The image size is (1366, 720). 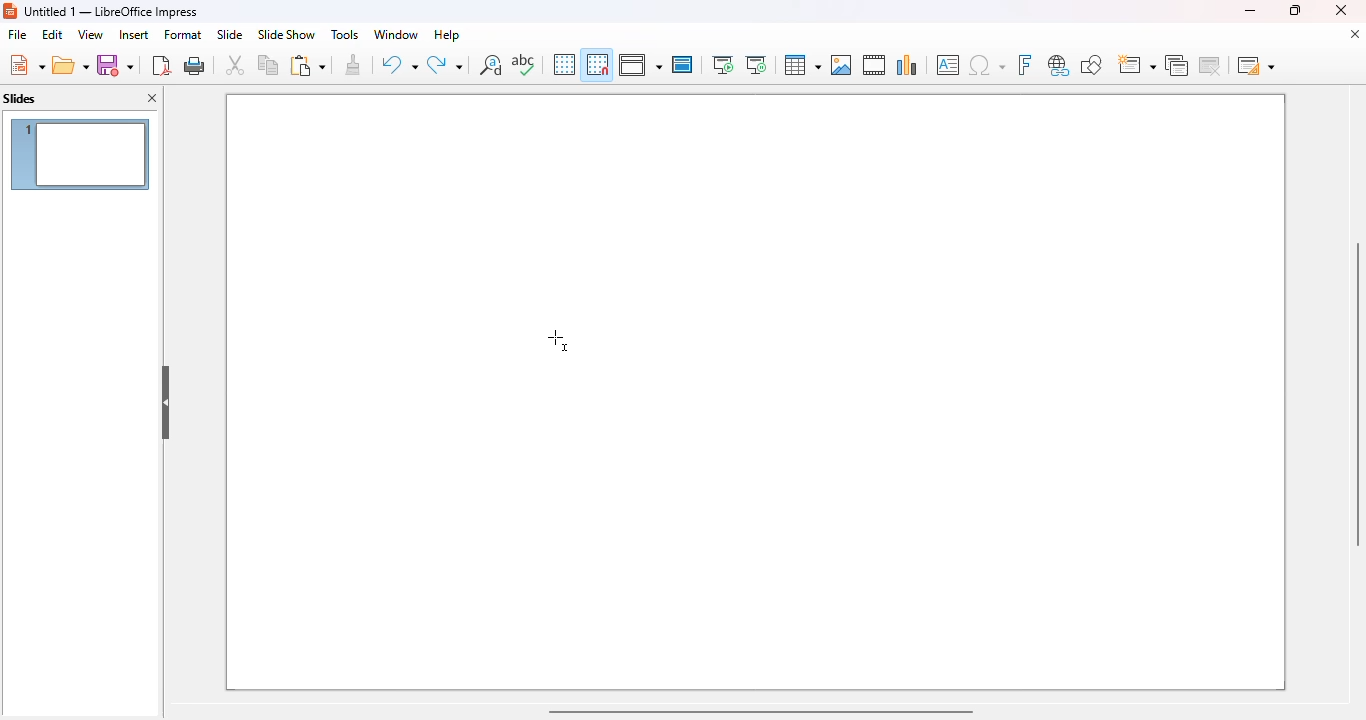 What do you see at coordinates (558, 340) in the screenshot?
I see `mouse down` at bounding box center [558, 340].